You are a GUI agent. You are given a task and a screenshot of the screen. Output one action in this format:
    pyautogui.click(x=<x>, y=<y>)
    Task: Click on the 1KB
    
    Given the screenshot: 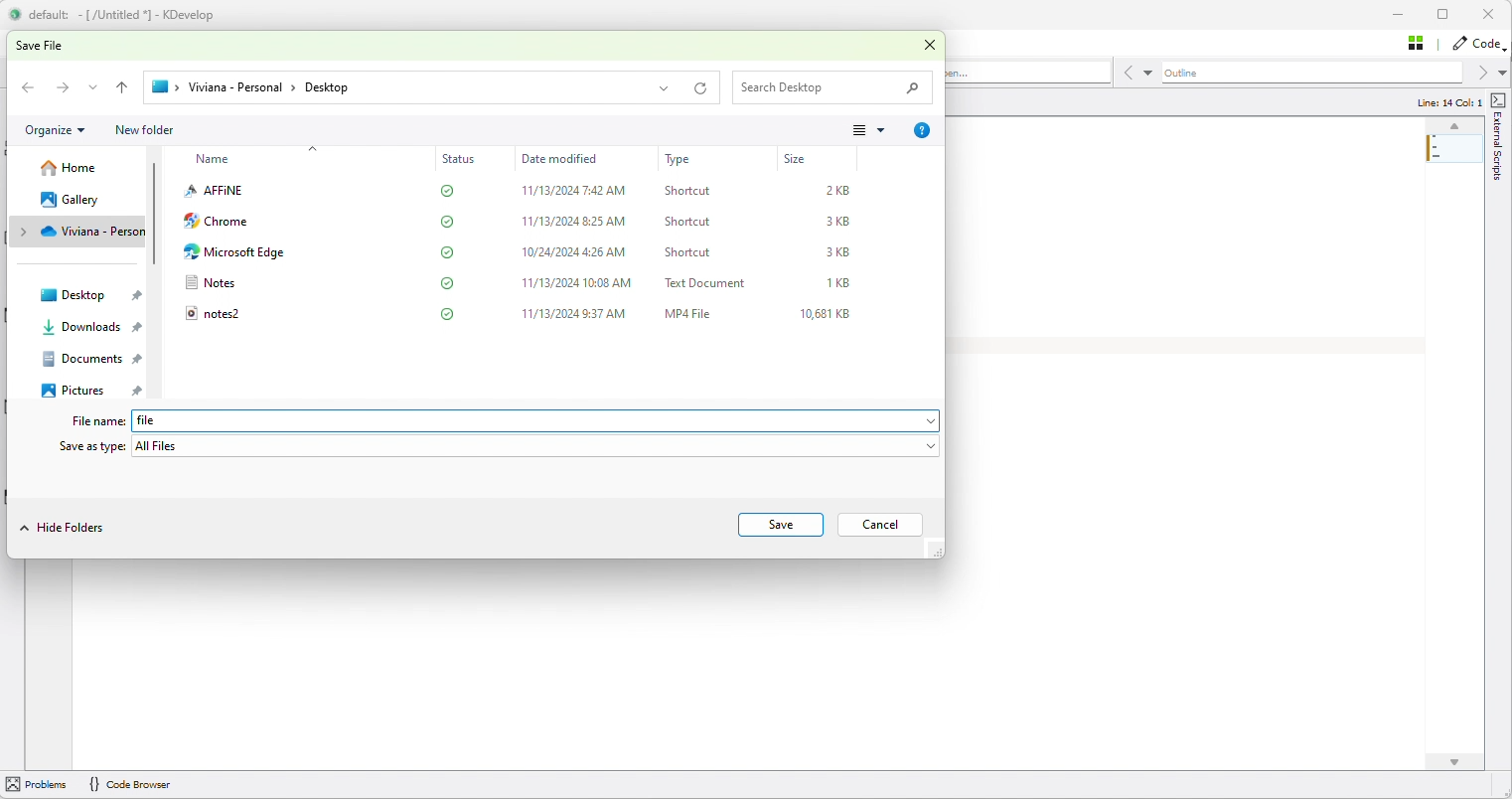 What is the action you would take?
    pyautogui.click(x=841, y=283)
    